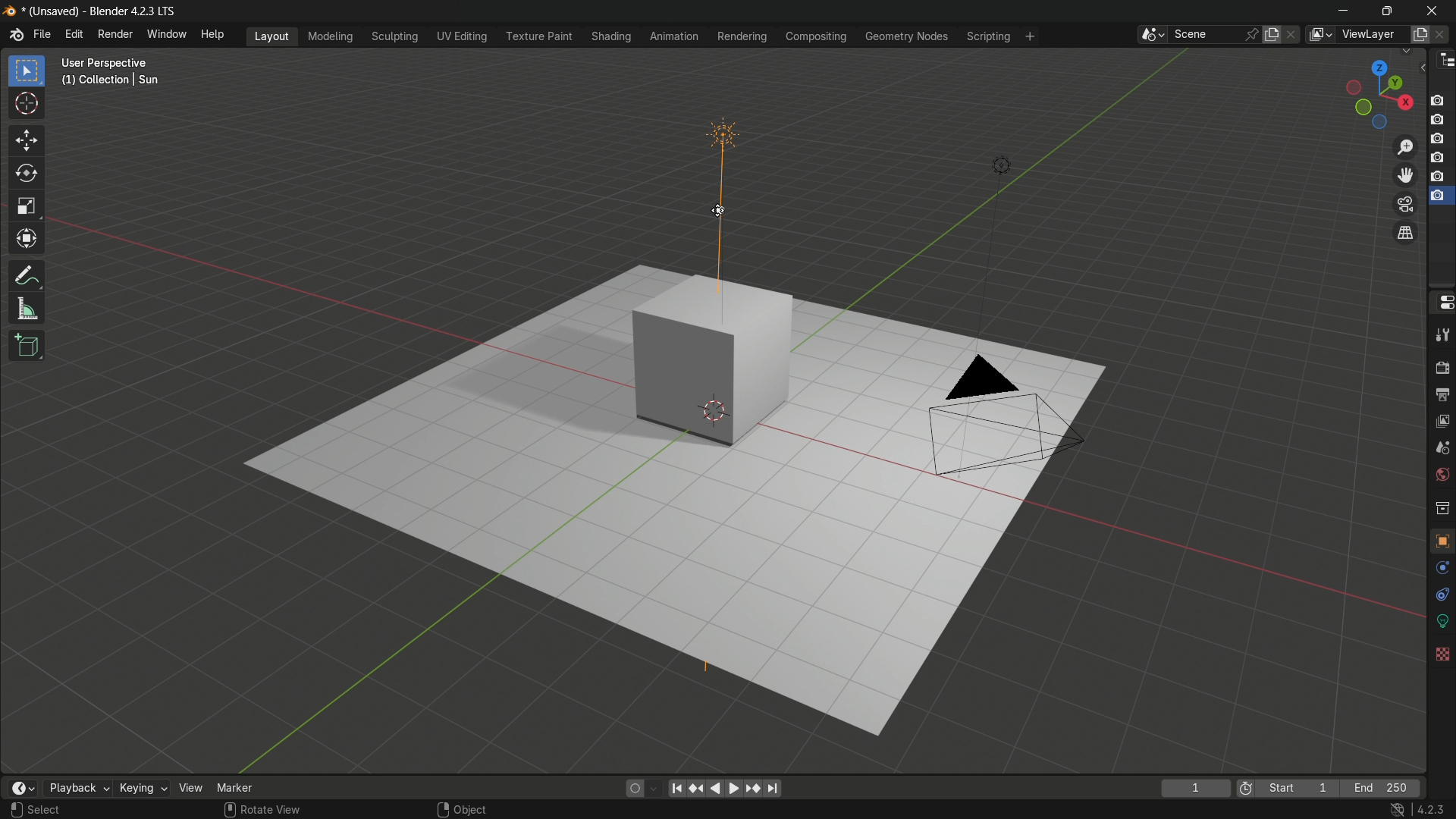 The image size is (1456, 819). What do you see at coordinates (1442, 306) in the screenshot?
I see `properties` at bounding box center [1442, 306].